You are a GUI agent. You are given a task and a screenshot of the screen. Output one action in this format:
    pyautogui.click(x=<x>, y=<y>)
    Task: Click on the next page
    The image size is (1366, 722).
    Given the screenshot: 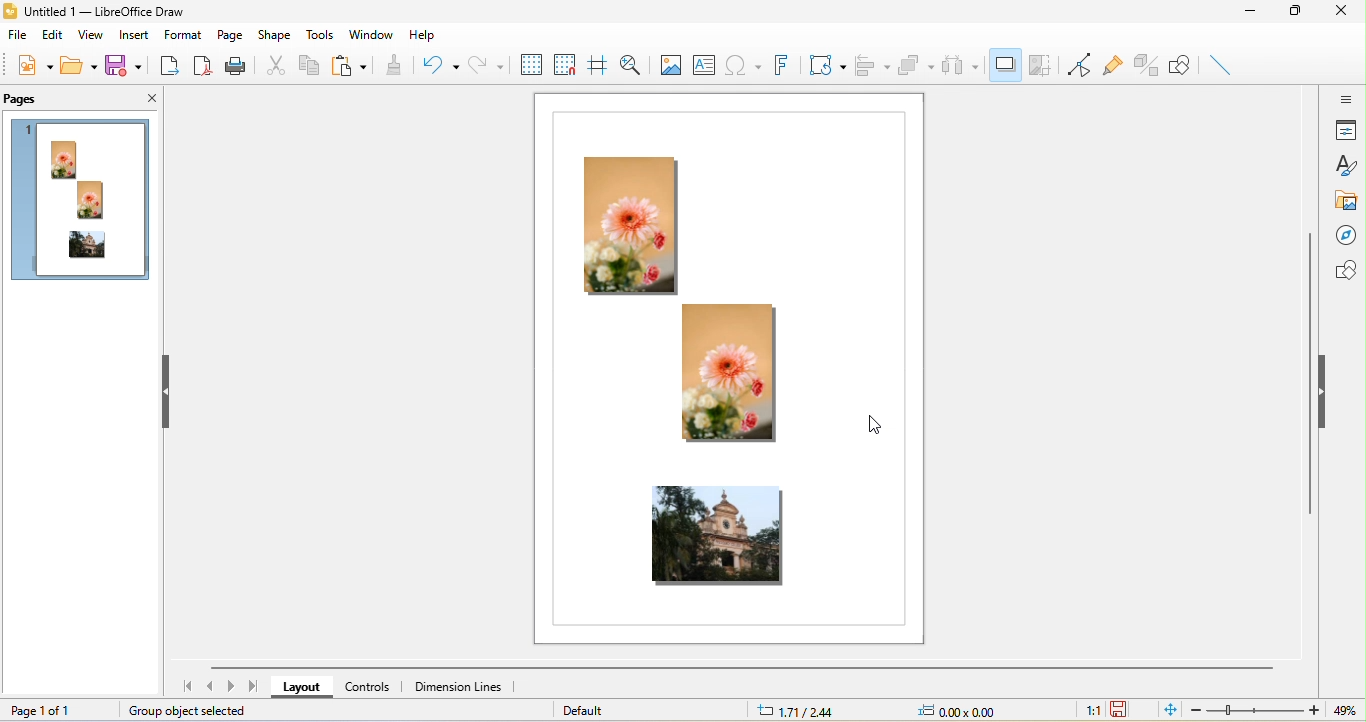 What is the action you would take?
    pyautogui.click(x=233, y=687)
    